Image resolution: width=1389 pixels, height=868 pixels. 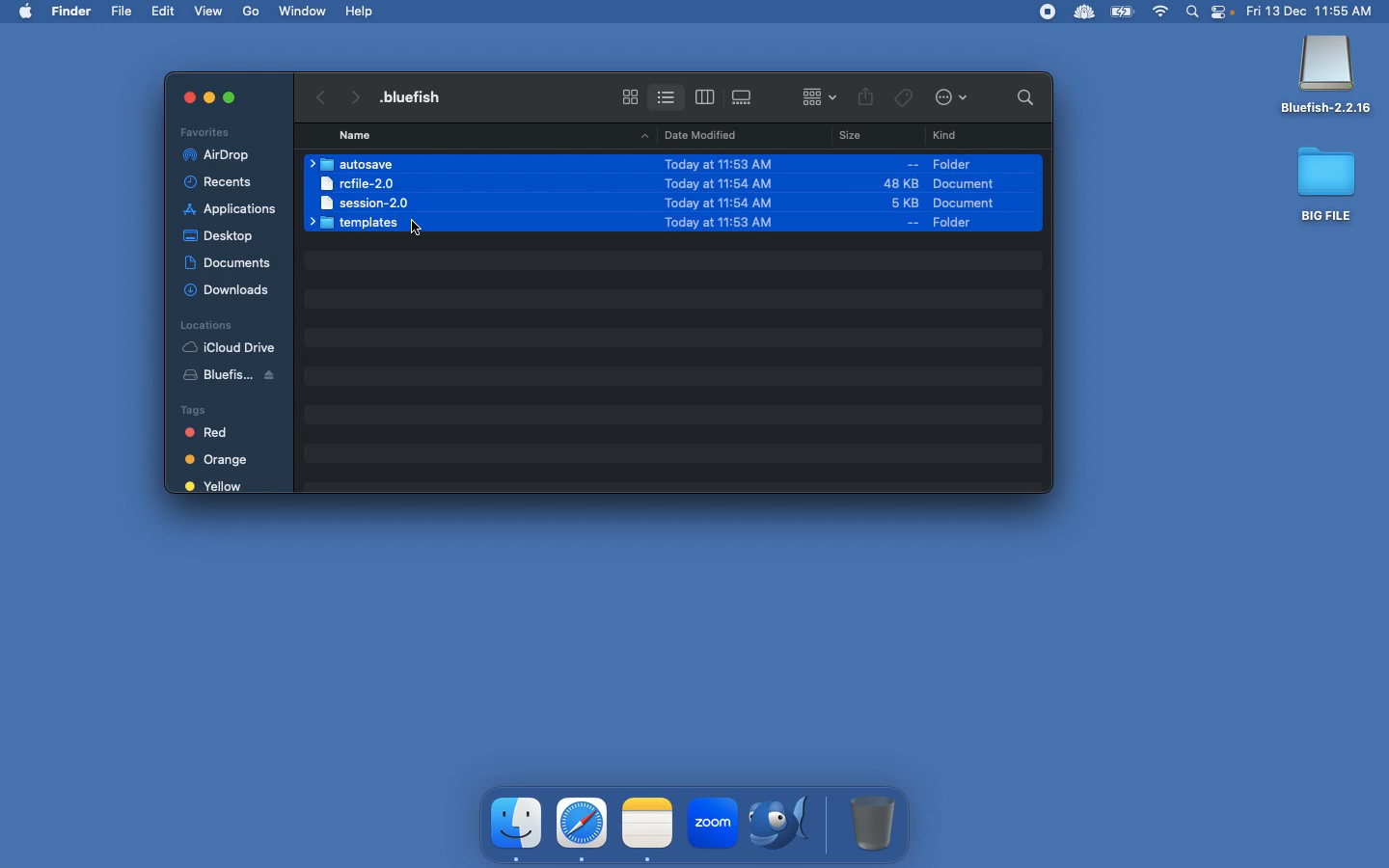 What do you see at coordinates (361, 202) in the screenshot?
I see `session-2.0` at bounding box center [361, 202].